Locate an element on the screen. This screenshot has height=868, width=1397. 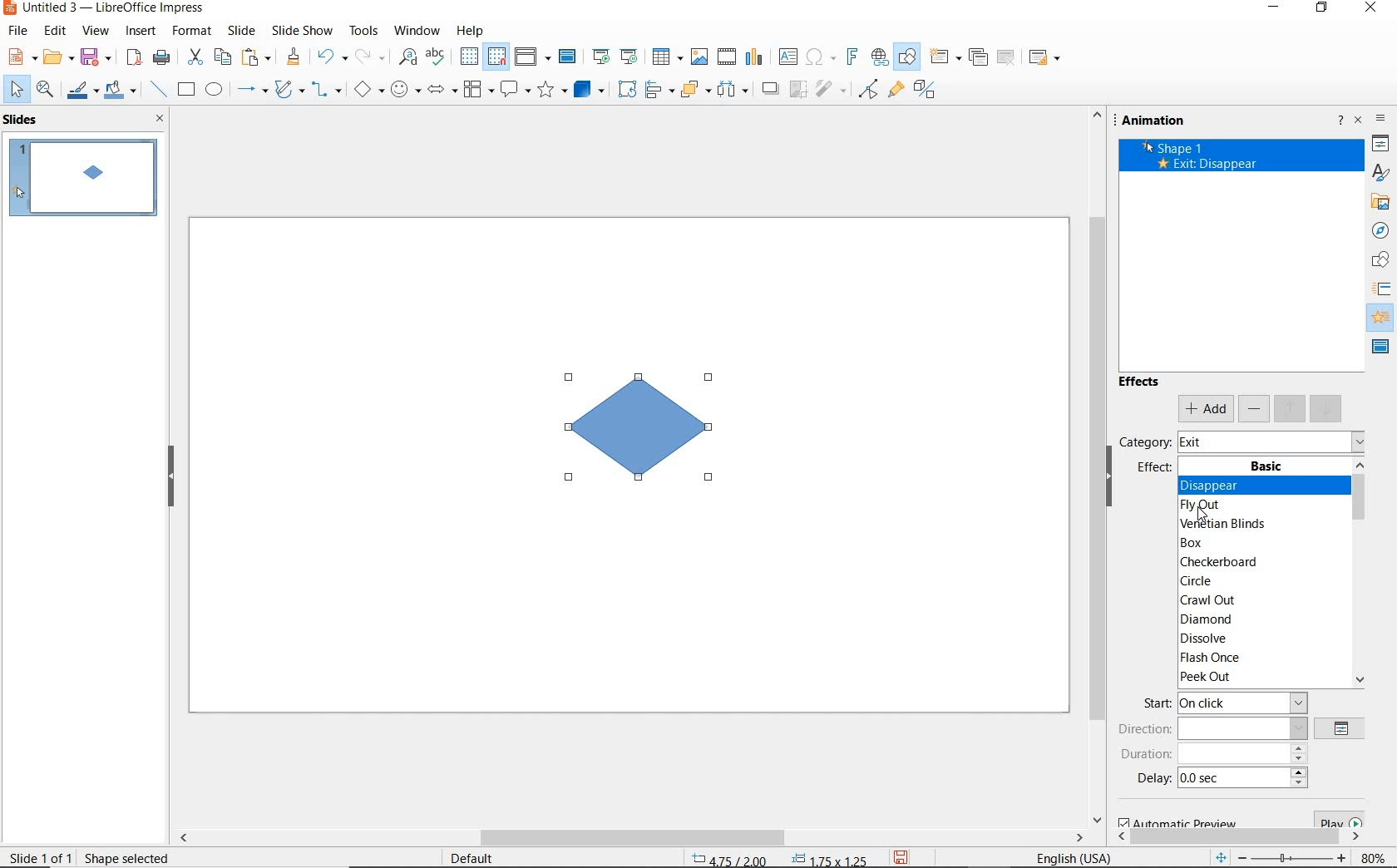
3d objects is located at coordinates (589, 89).